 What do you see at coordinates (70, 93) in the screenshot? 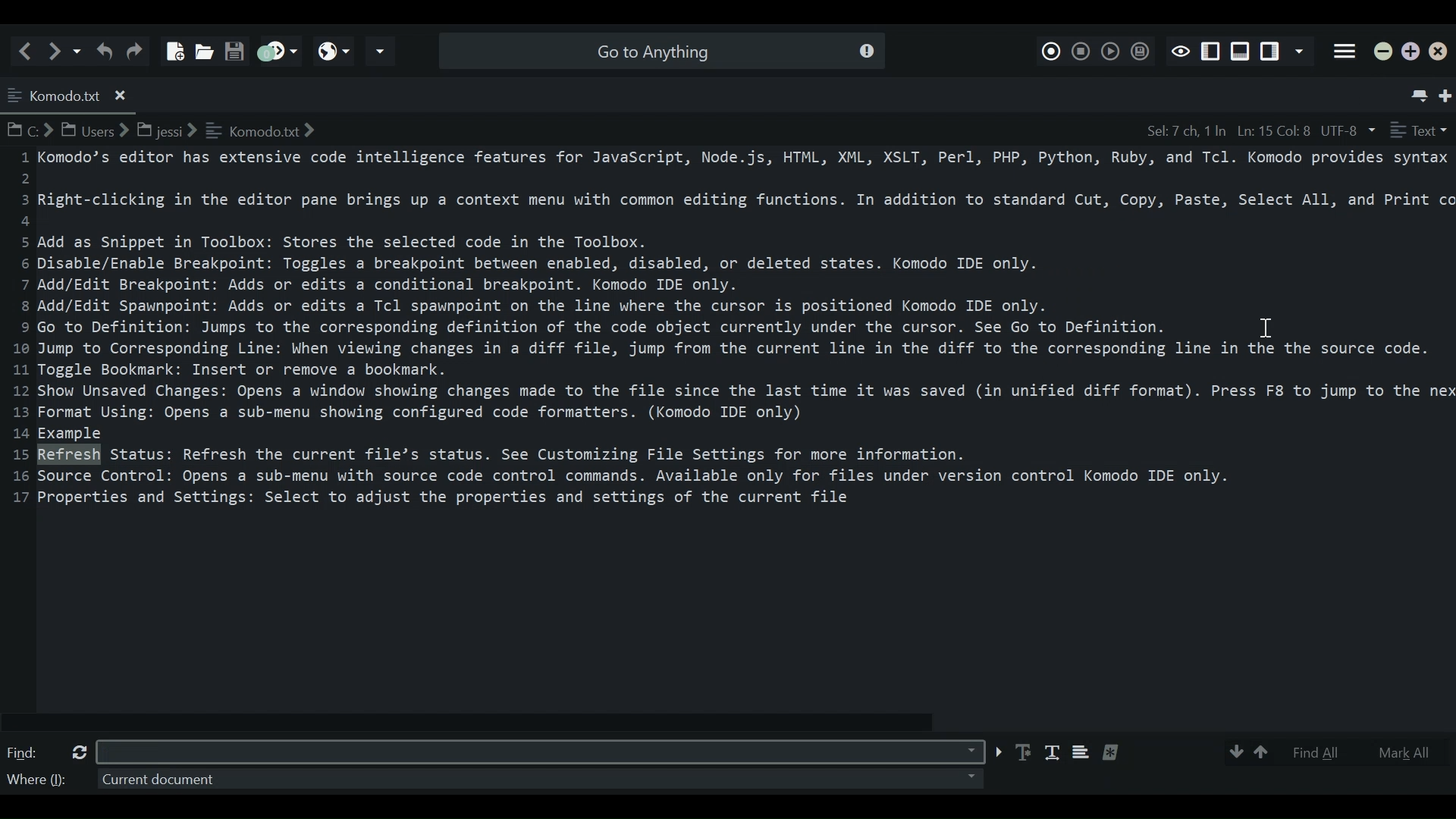
I see `Current Tab` at bounding box center [70, 93].